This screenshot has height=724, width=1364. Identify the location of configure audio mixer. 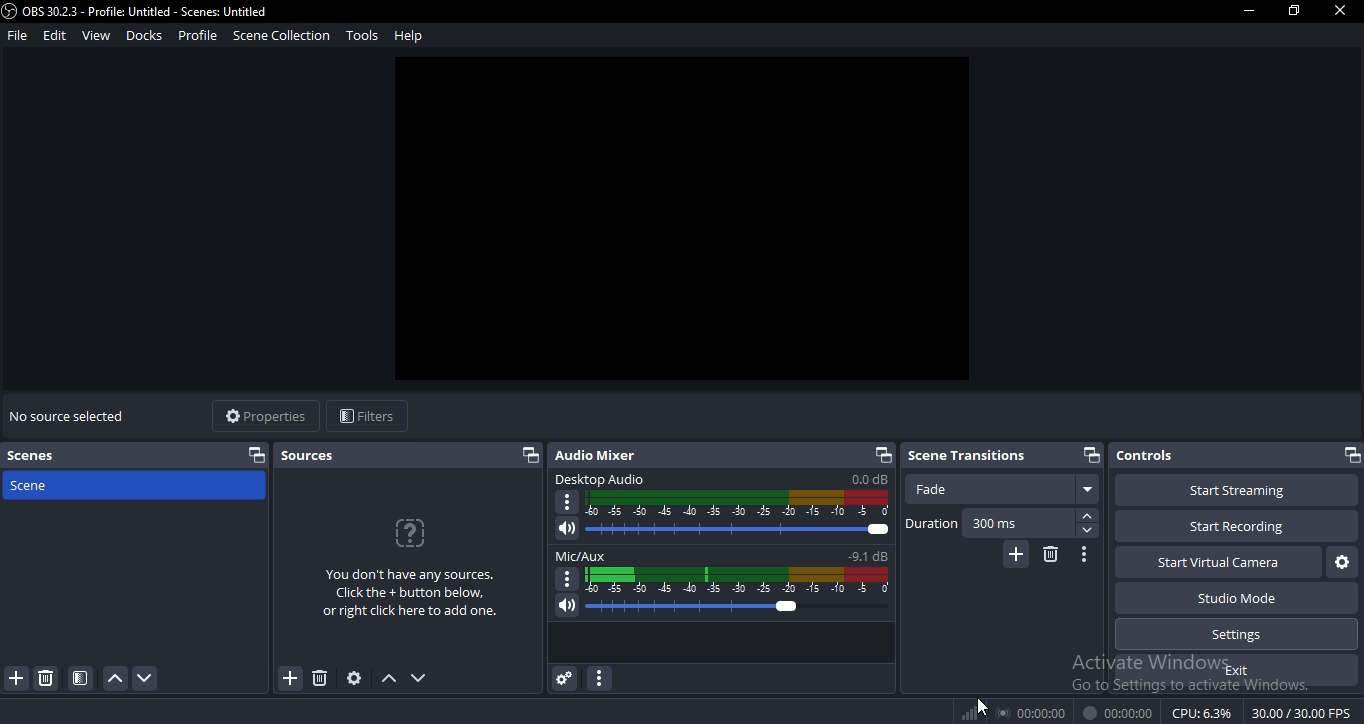
(597, 679).